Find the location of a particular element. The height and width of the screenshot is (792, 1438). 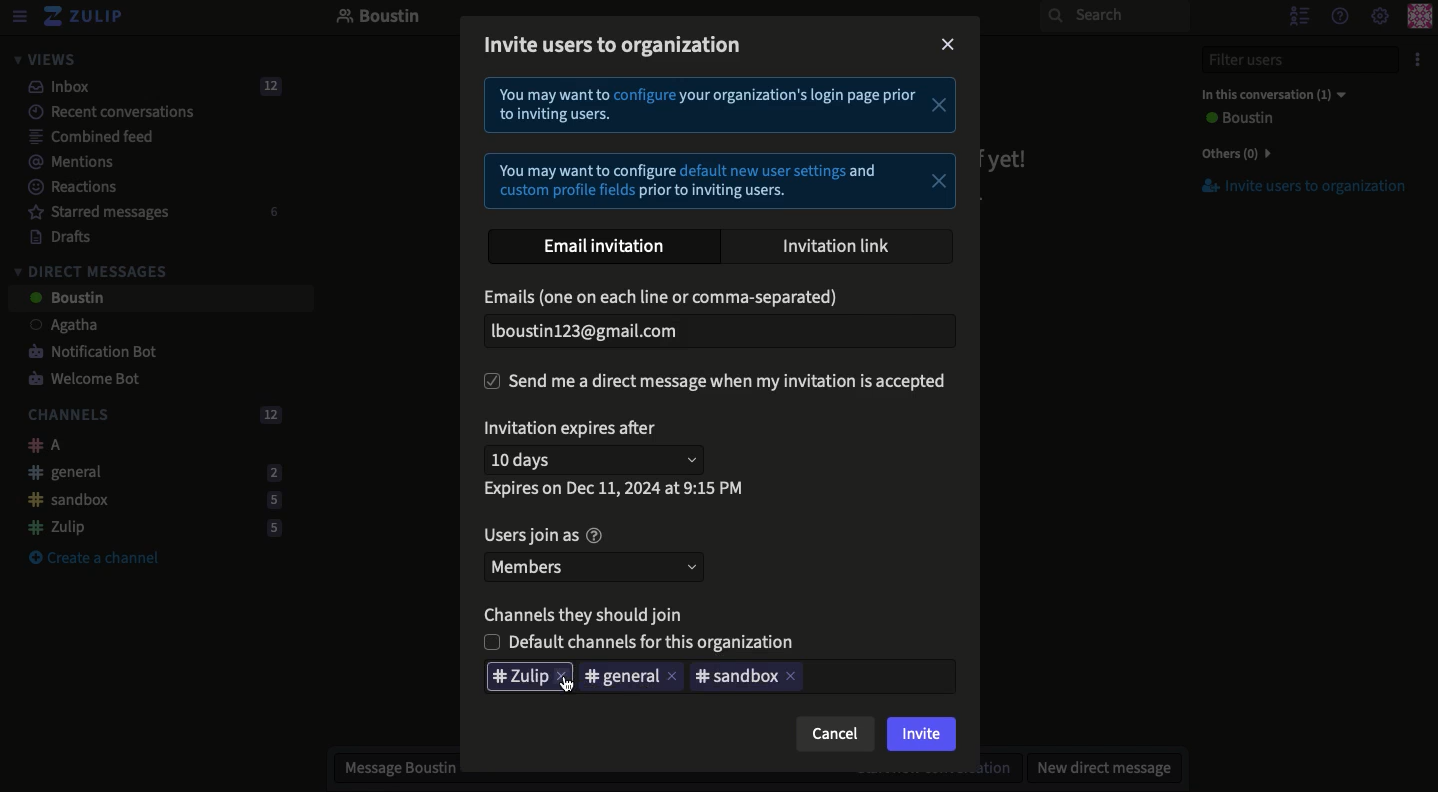

Welcome bot is located at coordinates (87, 380).